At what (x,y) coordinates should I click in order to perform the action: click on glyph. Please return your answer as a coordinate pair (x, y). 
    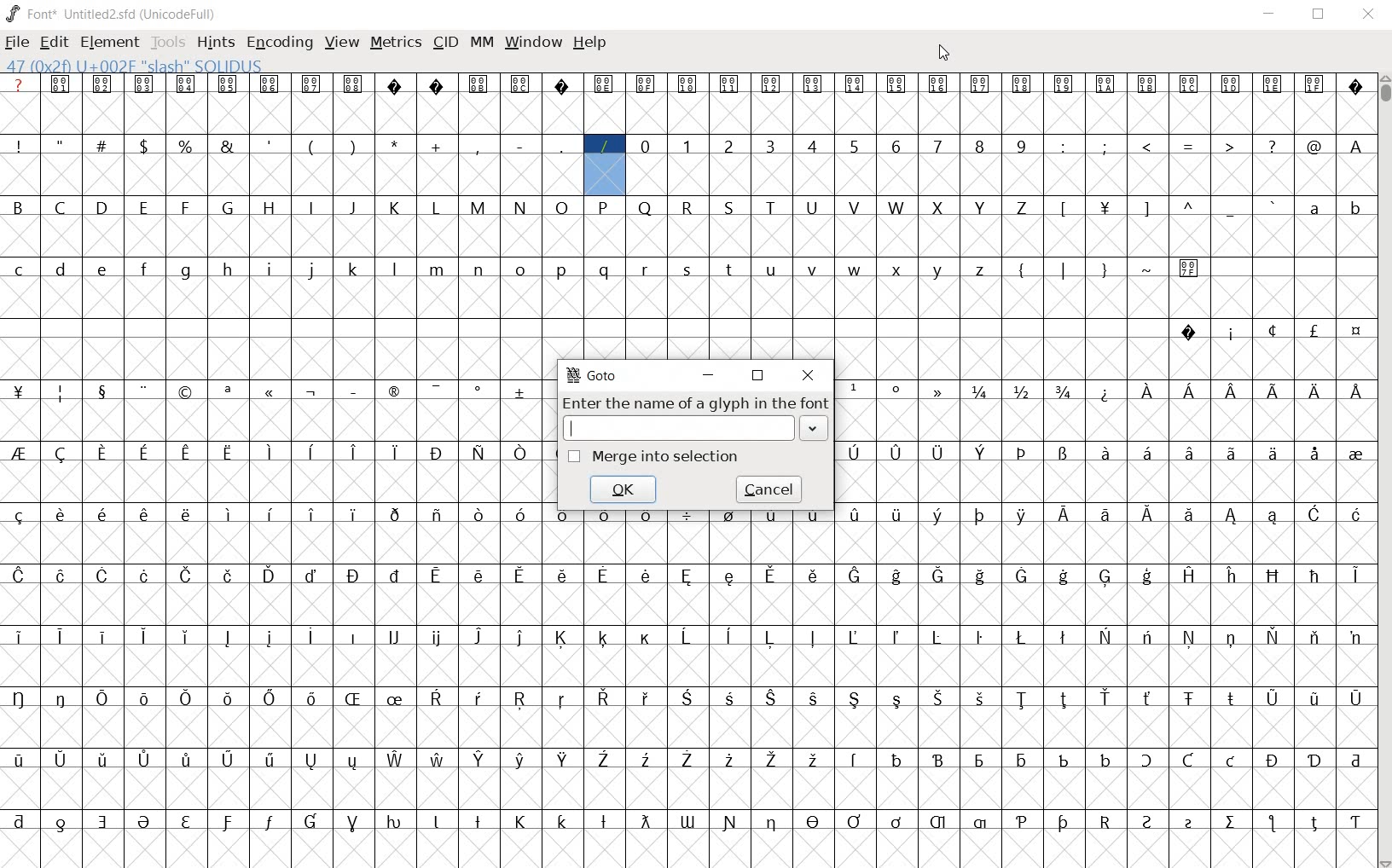
    Looking at the image, I should click on (20, 637).